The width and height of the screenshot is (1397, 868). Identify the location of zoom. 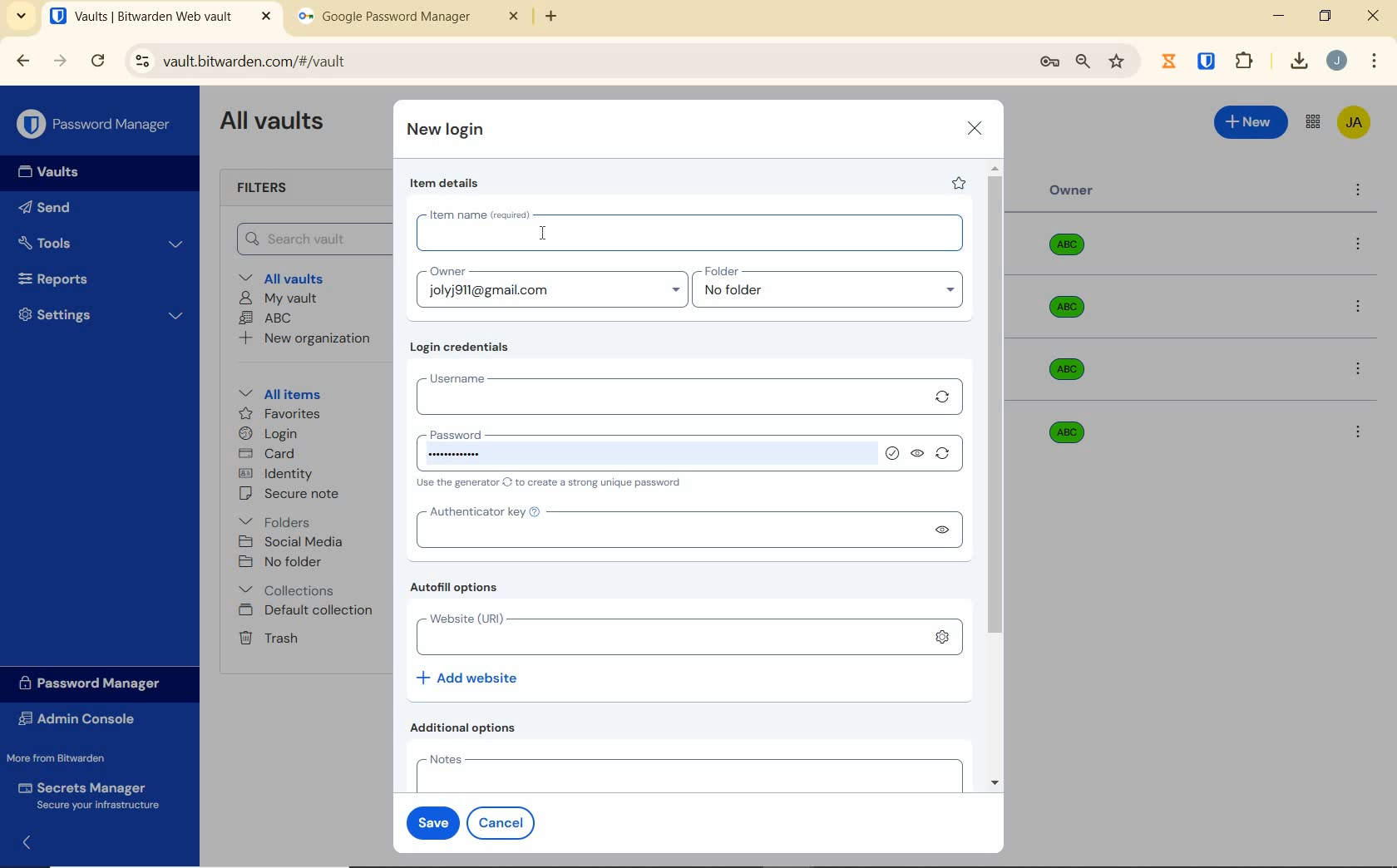
(1082, 62).